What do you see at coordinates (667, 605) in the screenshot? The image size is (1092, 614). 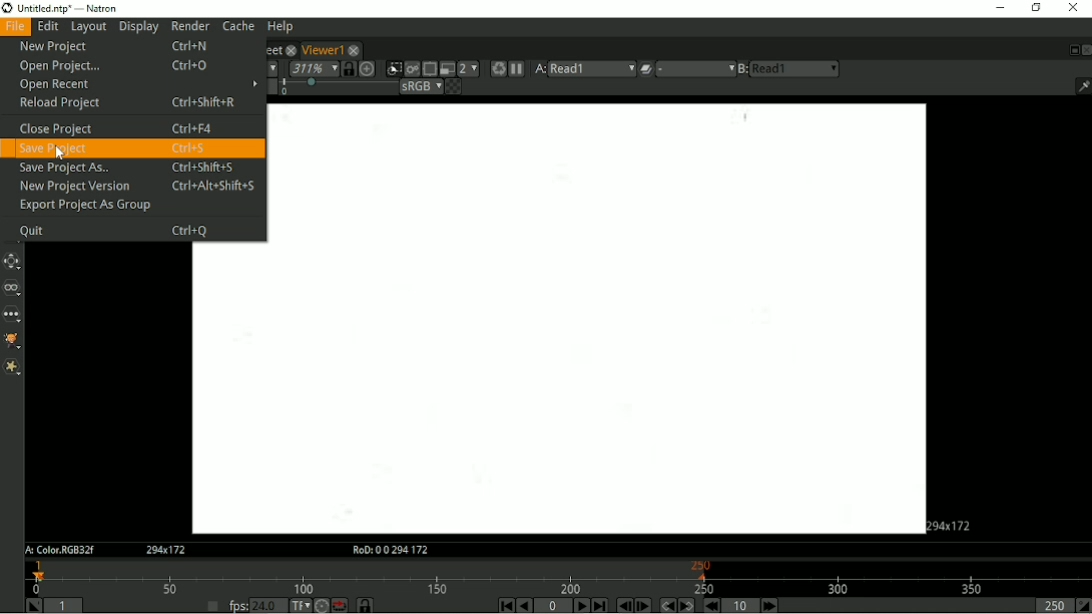 I see `Previous keyframe` at bounding box center [667, 605].